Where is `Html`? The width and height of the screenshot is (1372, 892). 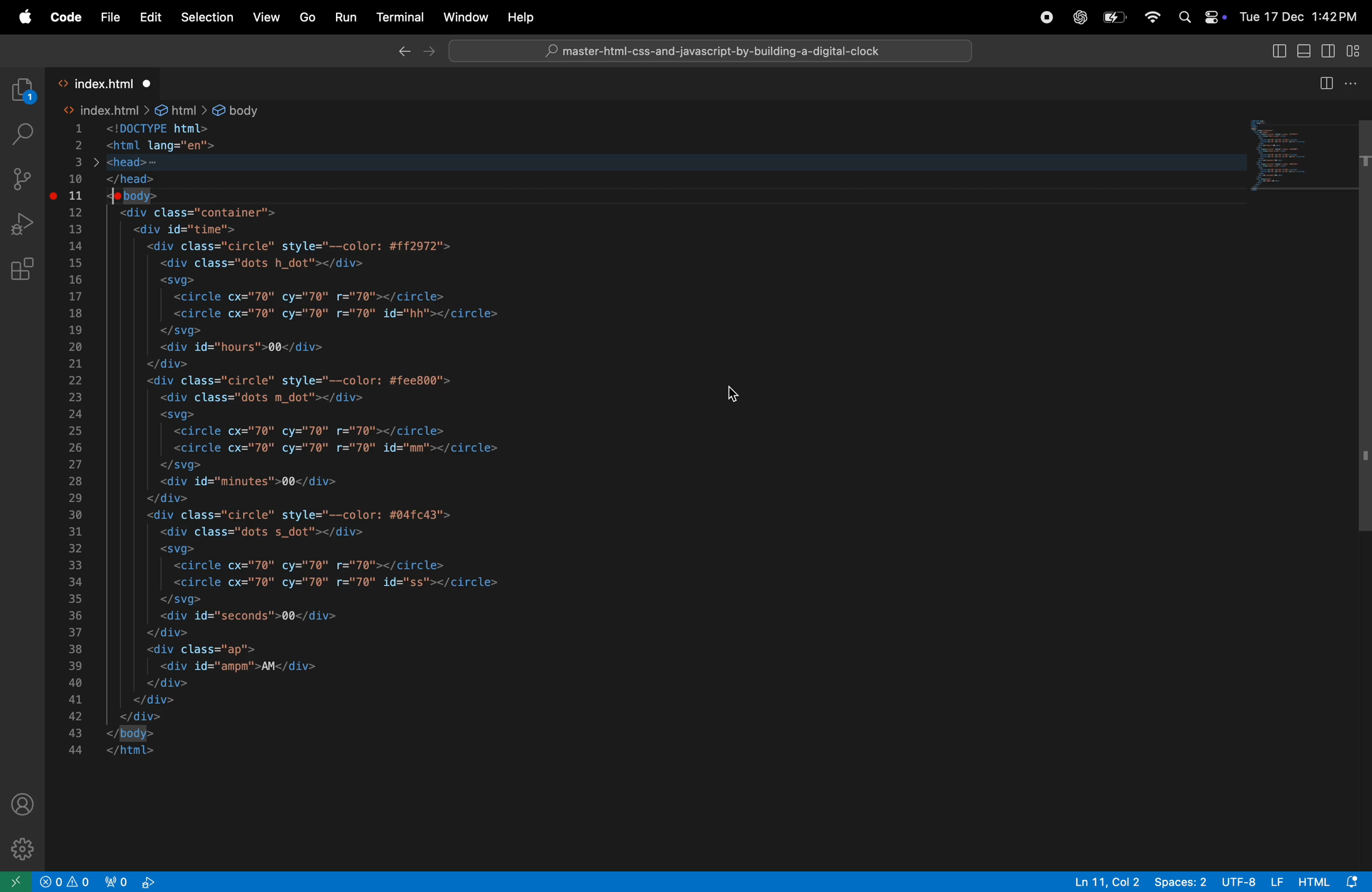 Html is located at coordinates (1333, 882).